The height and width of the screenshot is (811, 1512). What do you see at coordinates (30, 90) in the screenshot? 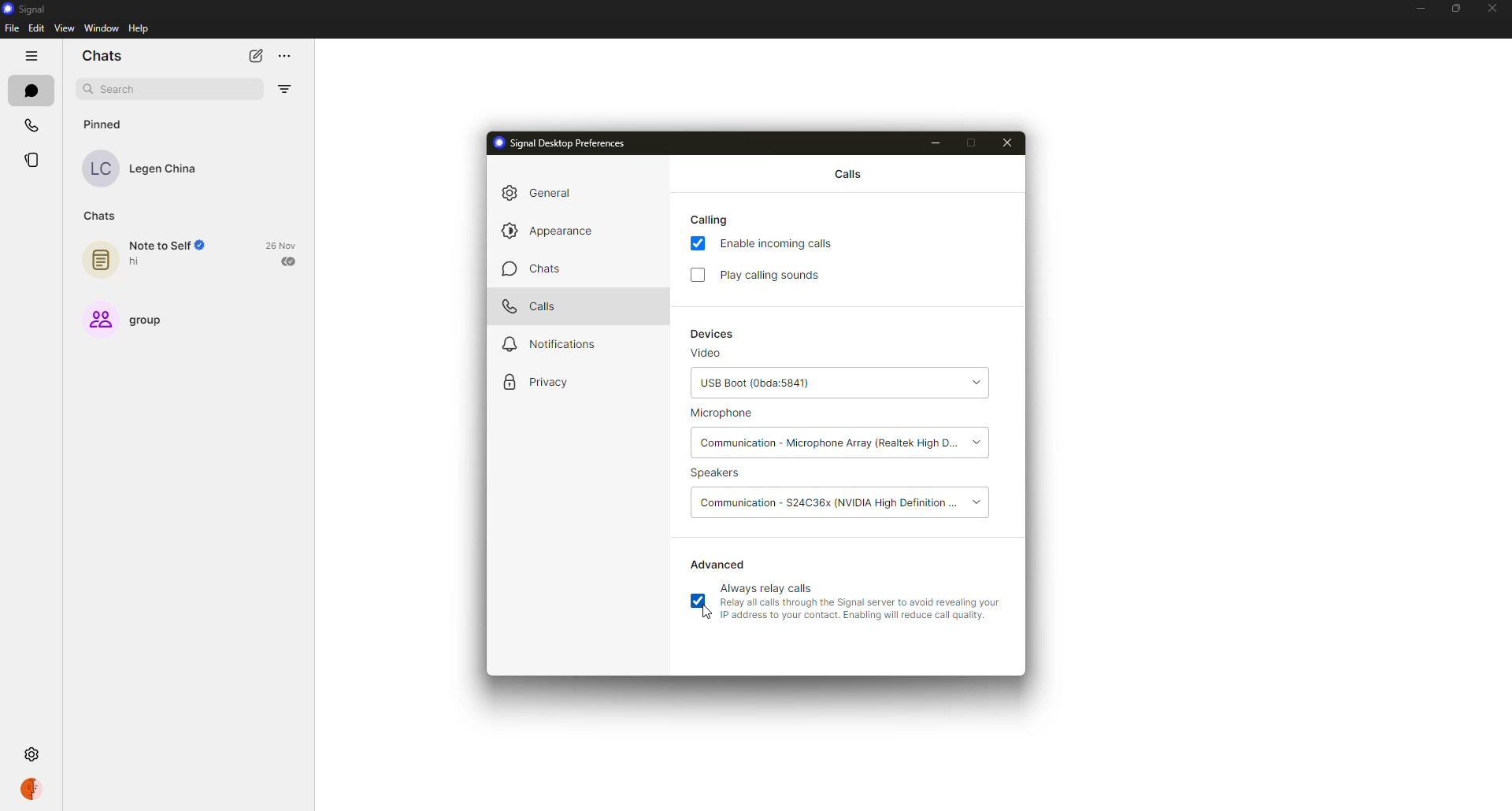
I see `chats` at bounding box center [30, 90].